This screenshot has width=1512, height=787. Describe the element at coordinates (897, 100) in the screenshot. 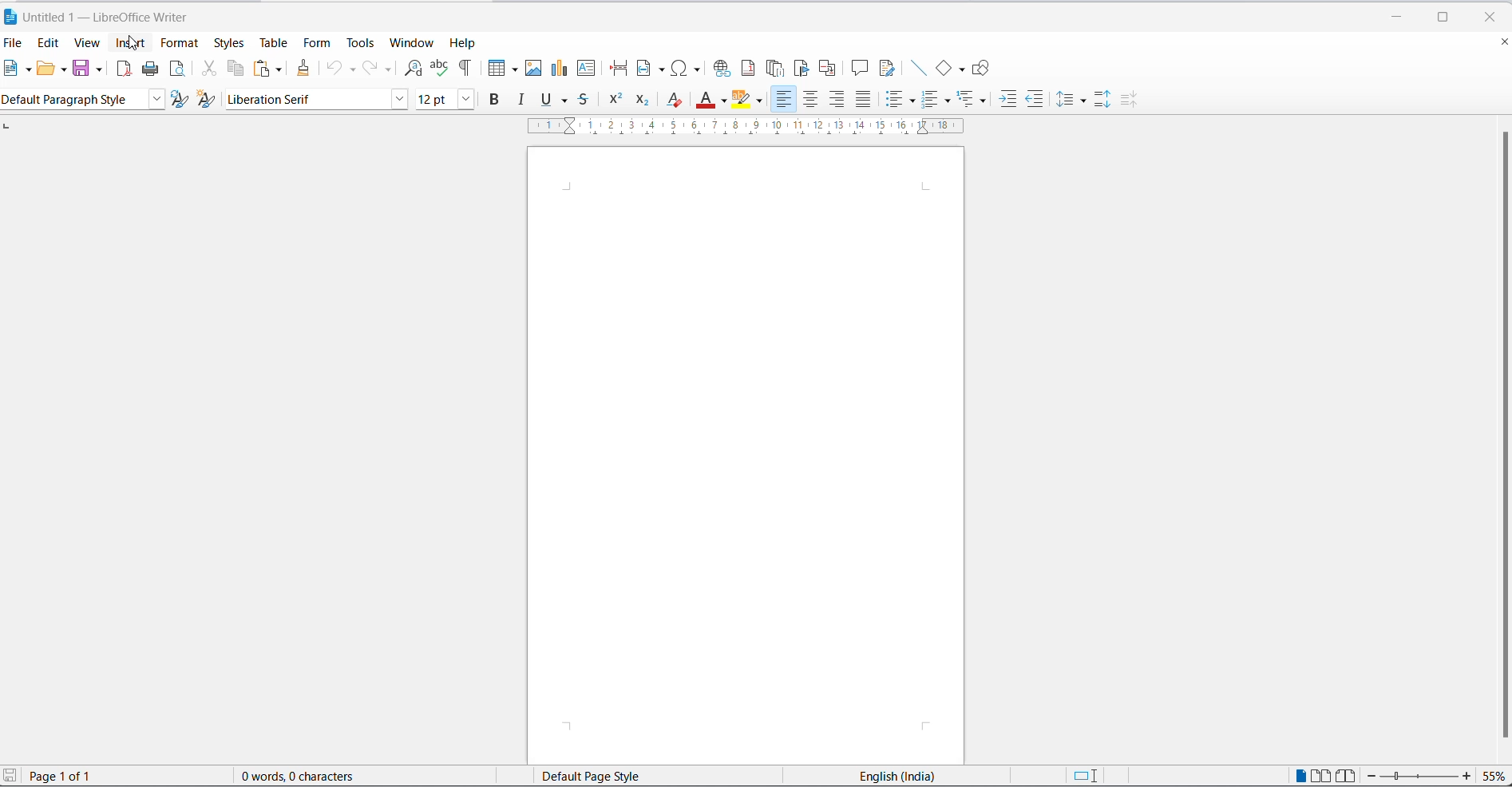

I see `toggle unordered list` at that location.